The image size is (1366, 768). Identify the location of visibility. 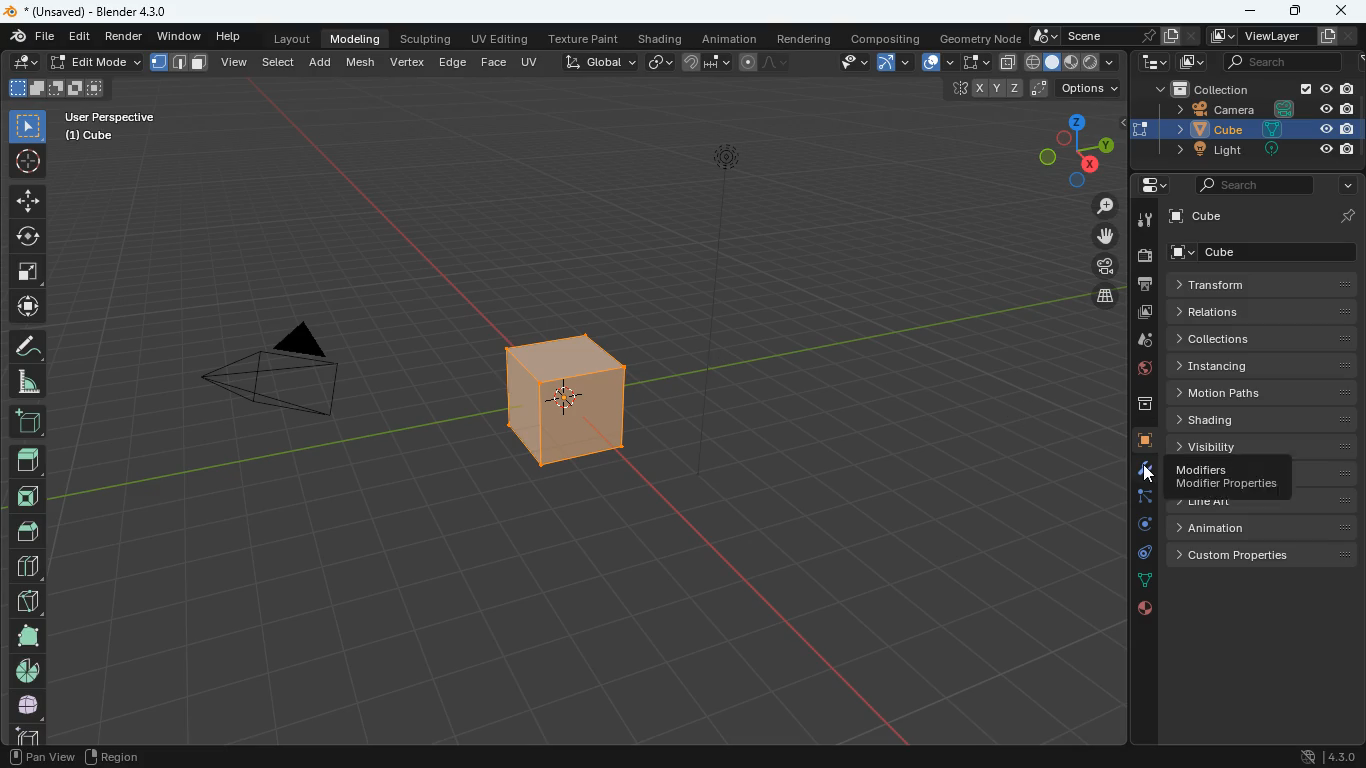
(1264, 443).